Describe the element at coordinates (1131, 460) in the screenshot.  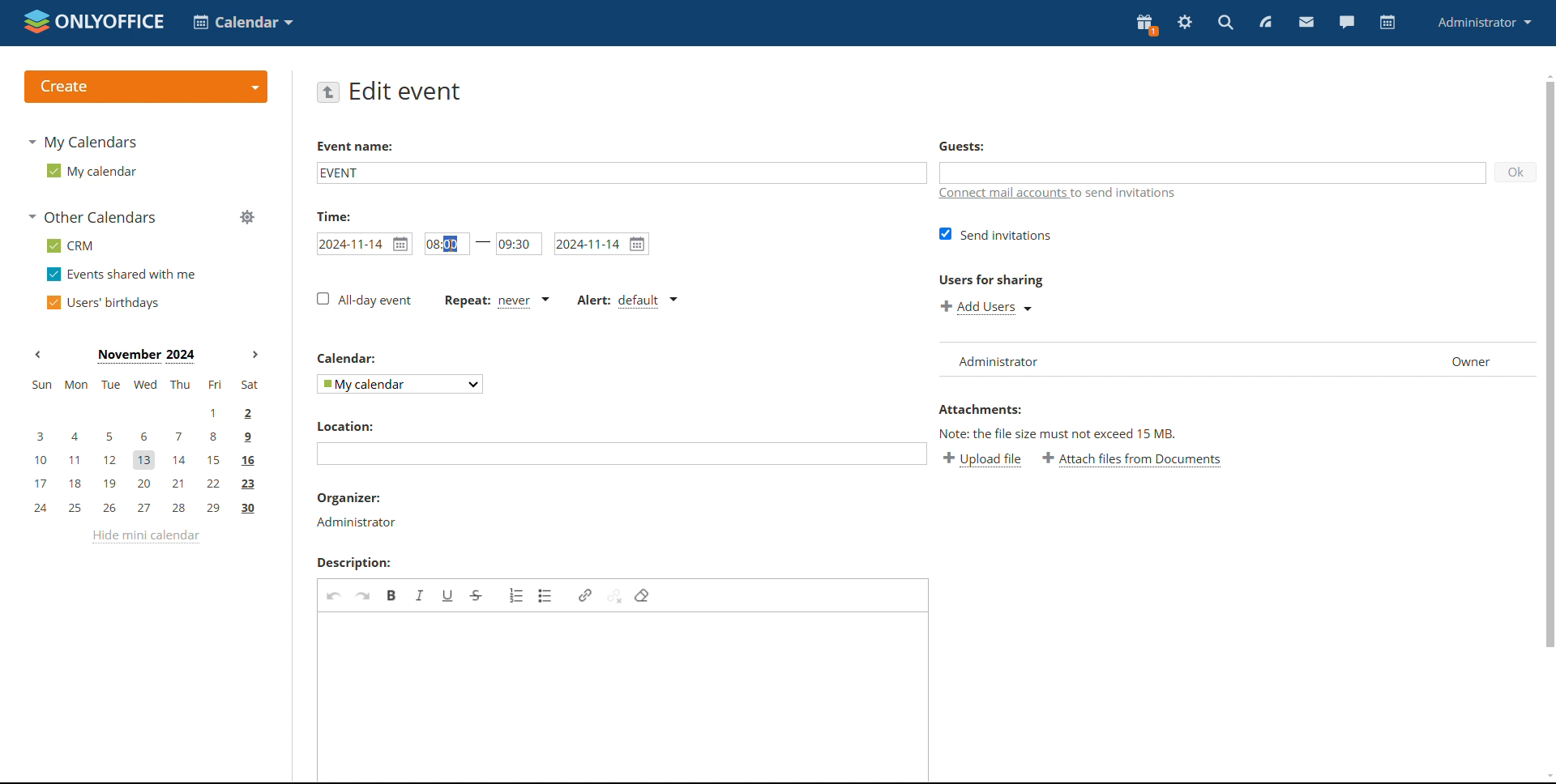
I see `attach file from documents` at that location.